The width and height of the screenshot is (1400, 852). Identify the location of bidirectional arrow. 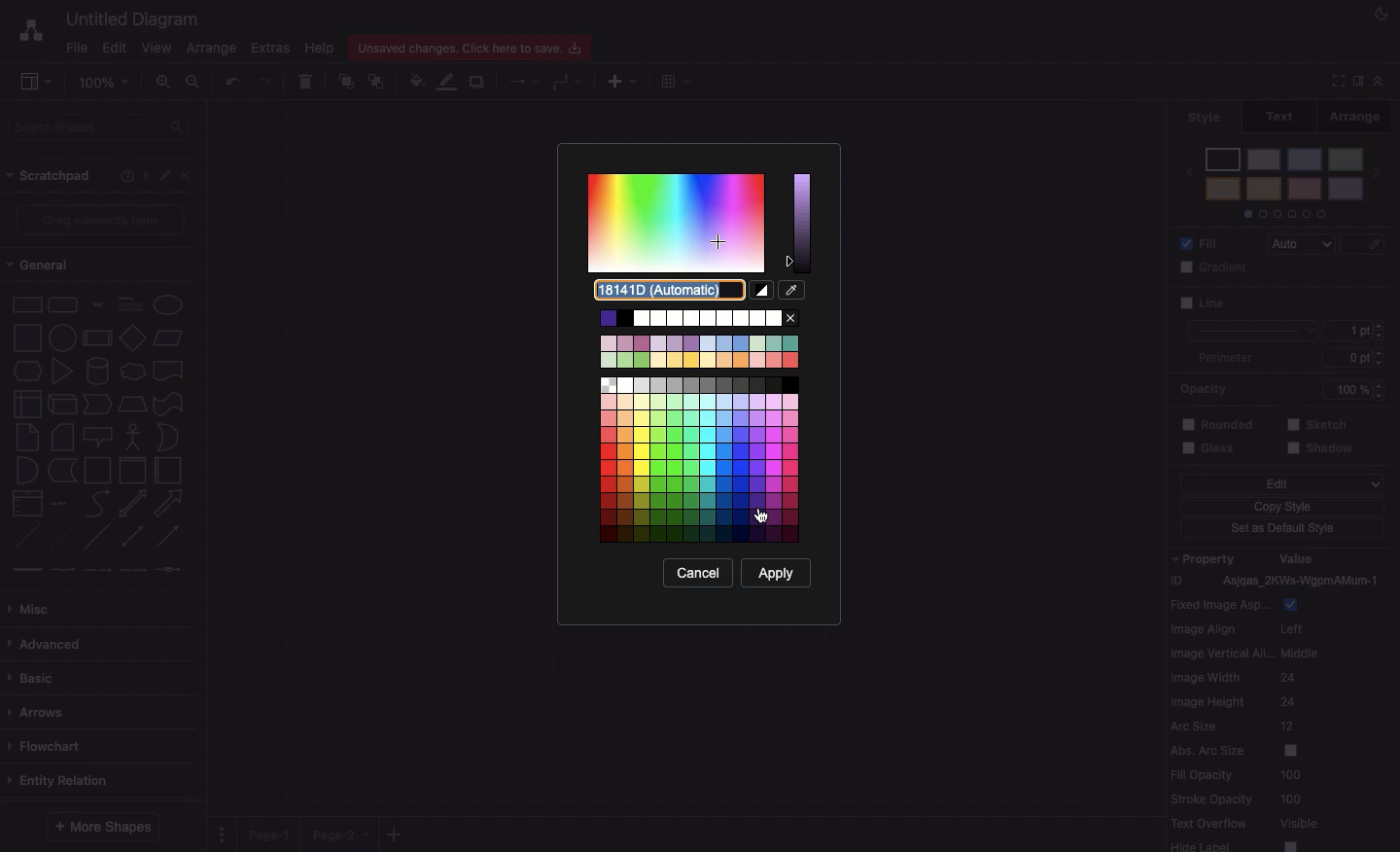
(132, 503).